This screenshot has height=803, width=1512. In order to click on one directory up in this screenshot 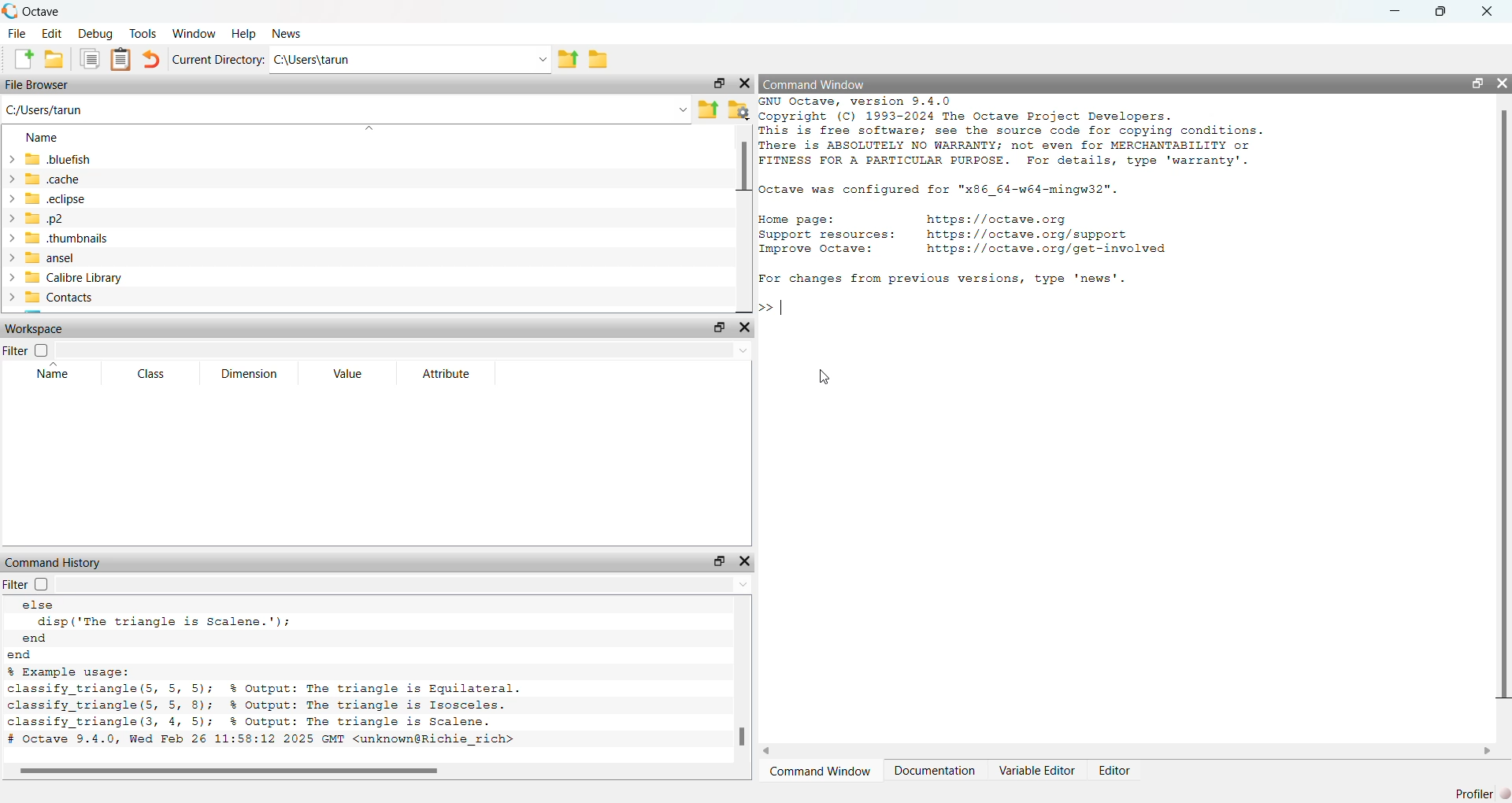, I will do `click(566, 59)`.